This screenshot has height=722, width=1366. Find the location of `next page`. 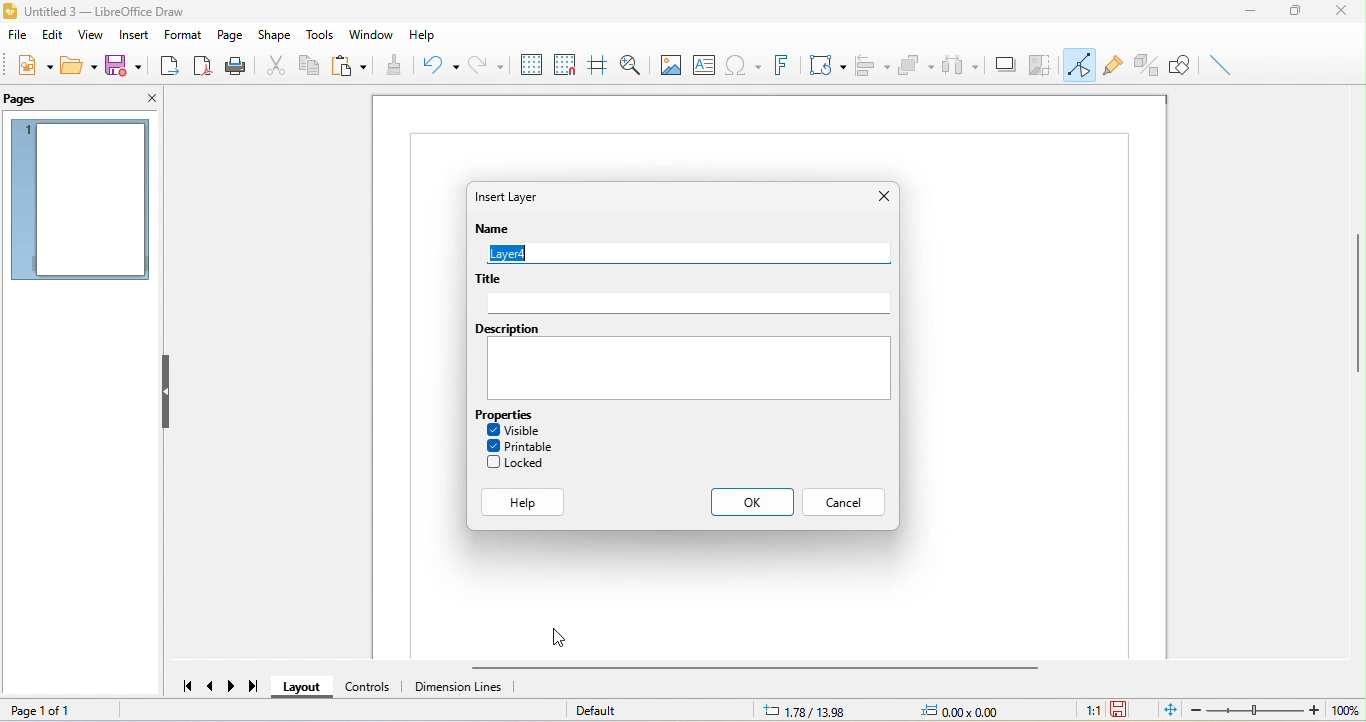

next page is located at coordinates (233, 685).